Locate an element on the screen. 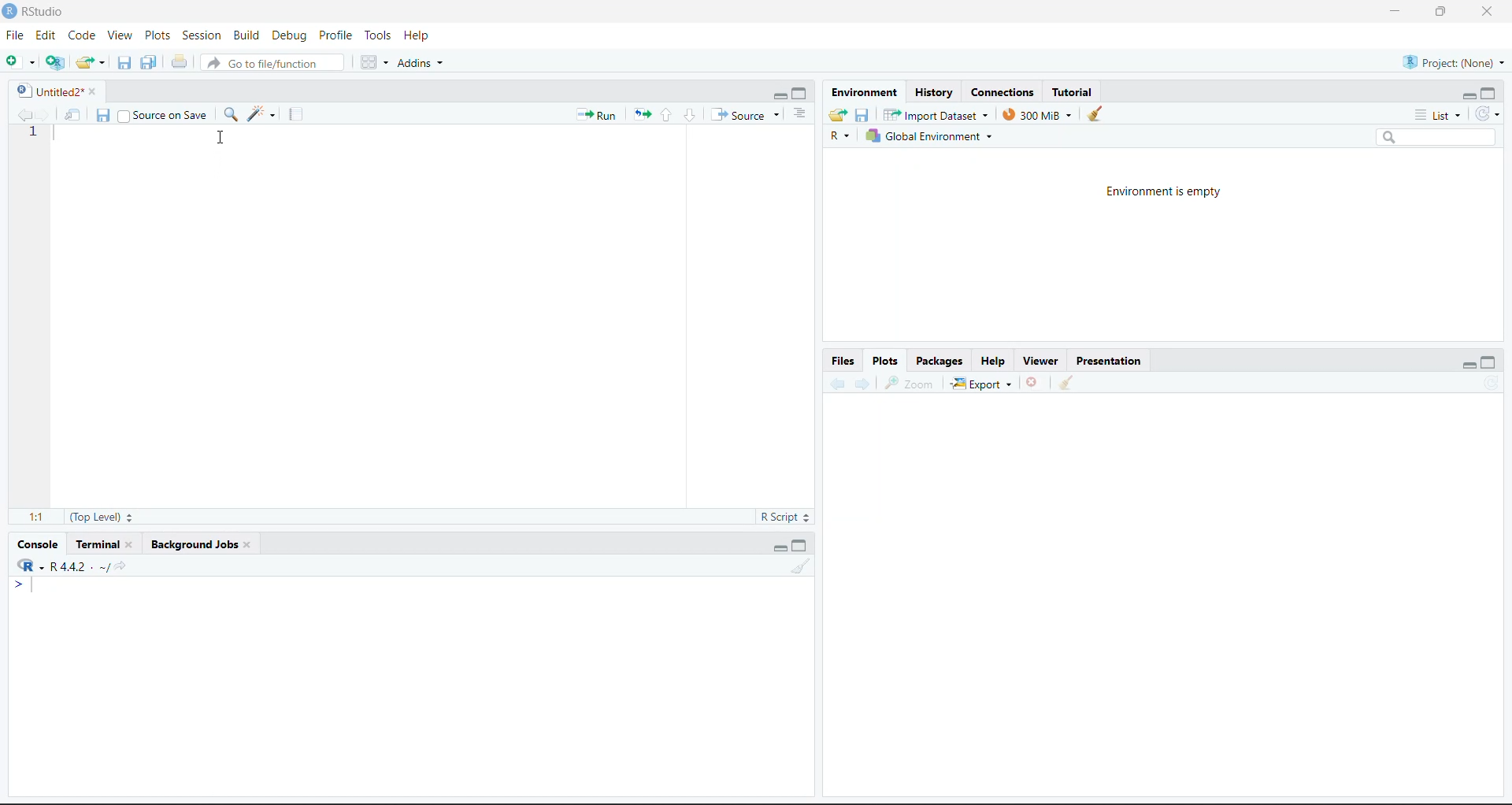 This screenshot has width=1512, height=805. global Environment  is located at coordinates (932, 135).